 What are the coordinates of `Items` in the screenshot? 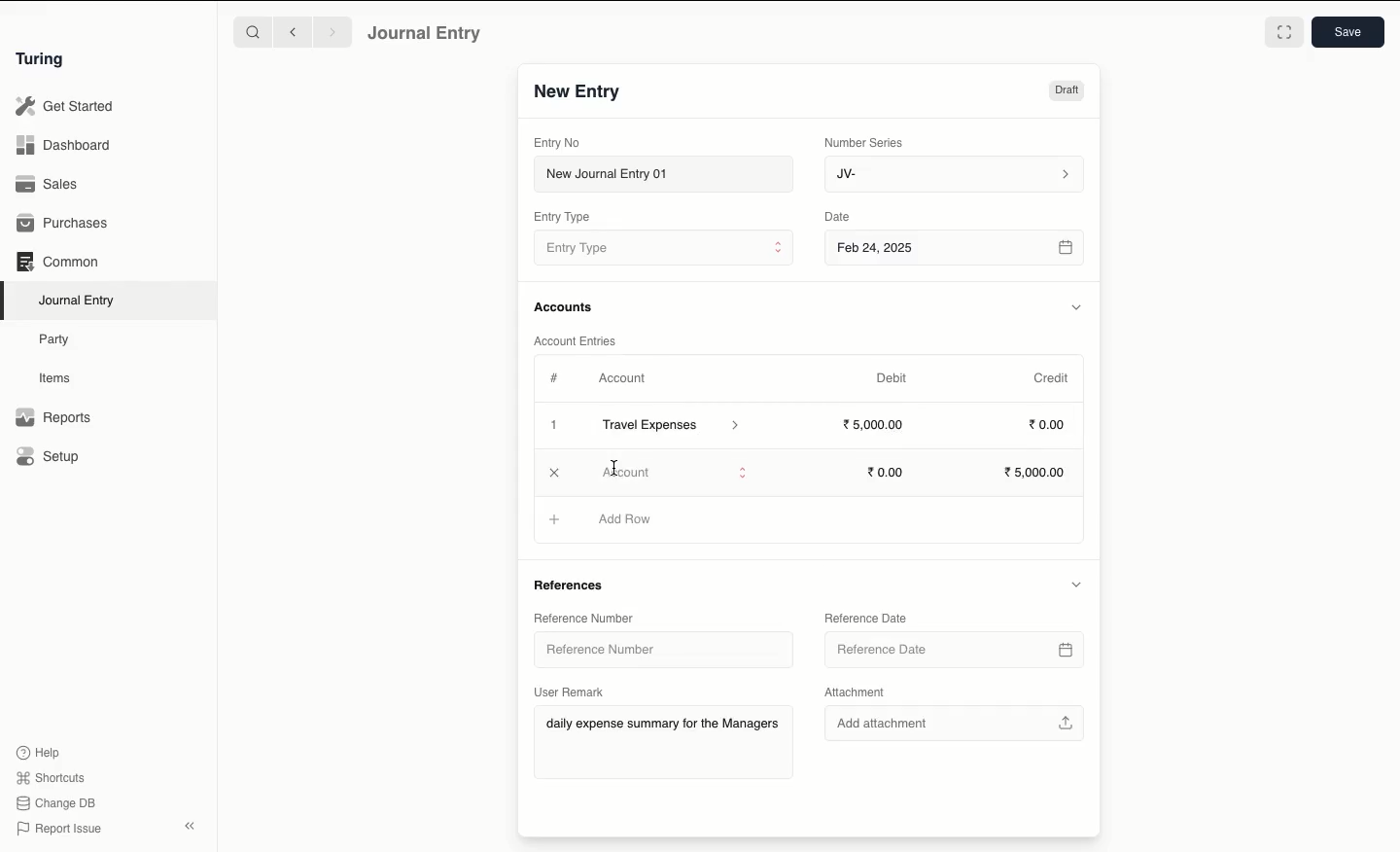 It's located at (55, 377).